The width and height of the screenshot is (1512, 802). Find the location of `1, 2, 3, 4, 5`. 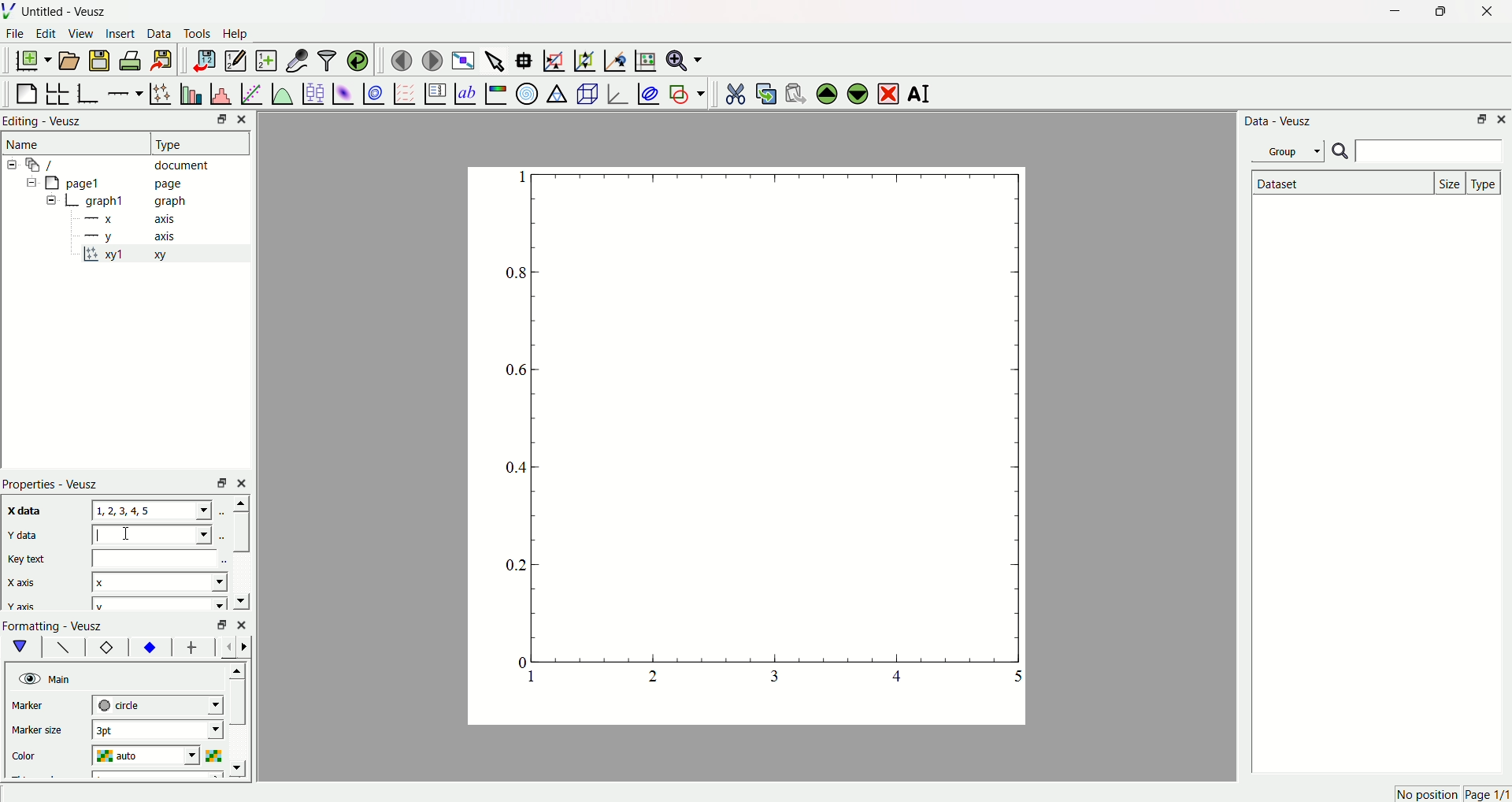

1, 2, 3, 4, 5 is located at coordinates (153, 511).